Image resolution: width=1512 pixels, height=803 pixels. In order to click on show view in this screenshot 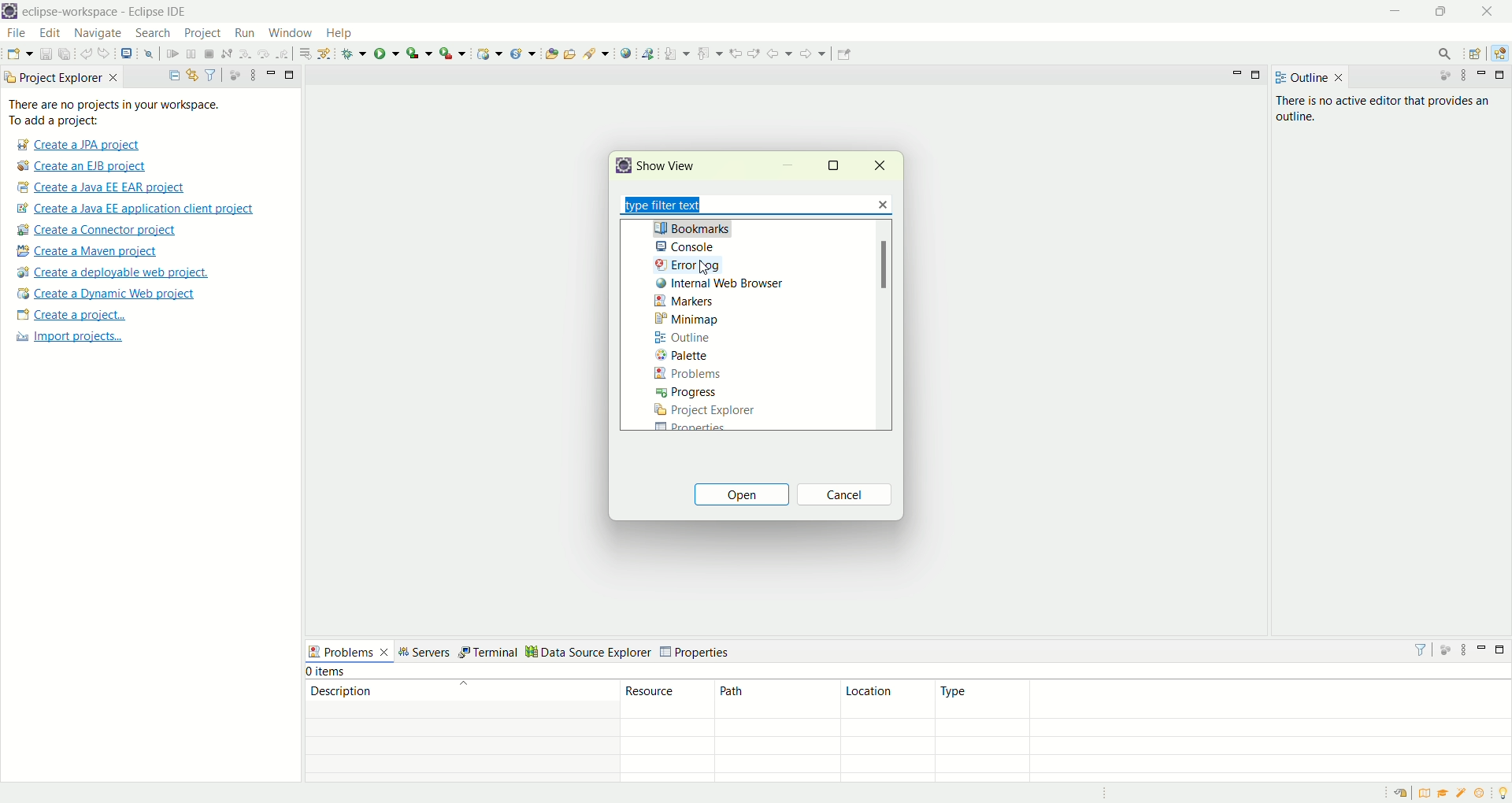, I will do `click(669, 165)`.